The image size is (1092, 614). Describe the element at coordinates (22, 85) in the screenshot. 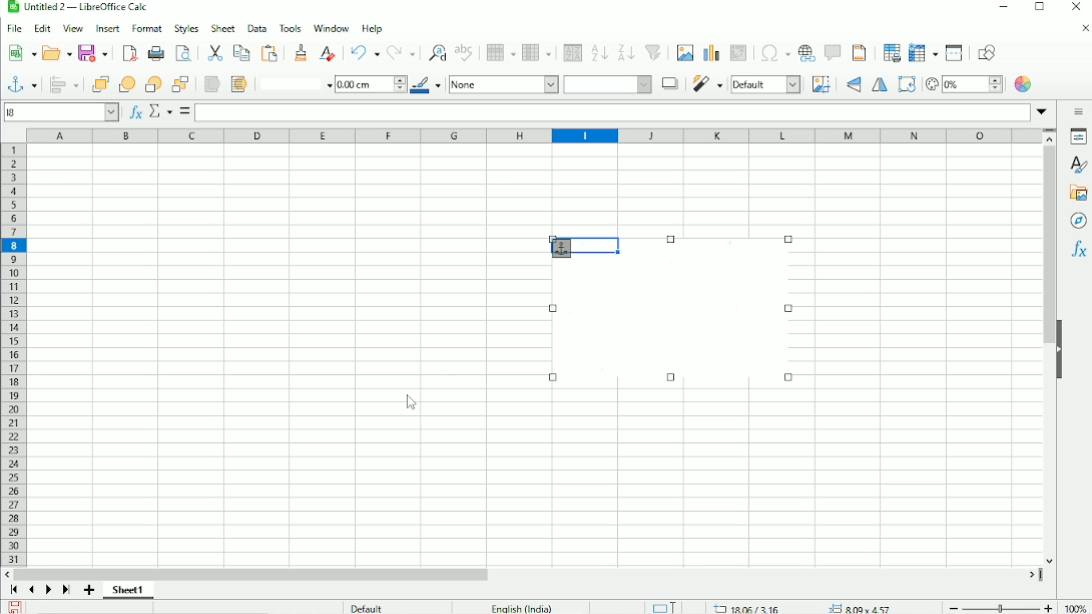

I see `select anchor for object ` at that location.